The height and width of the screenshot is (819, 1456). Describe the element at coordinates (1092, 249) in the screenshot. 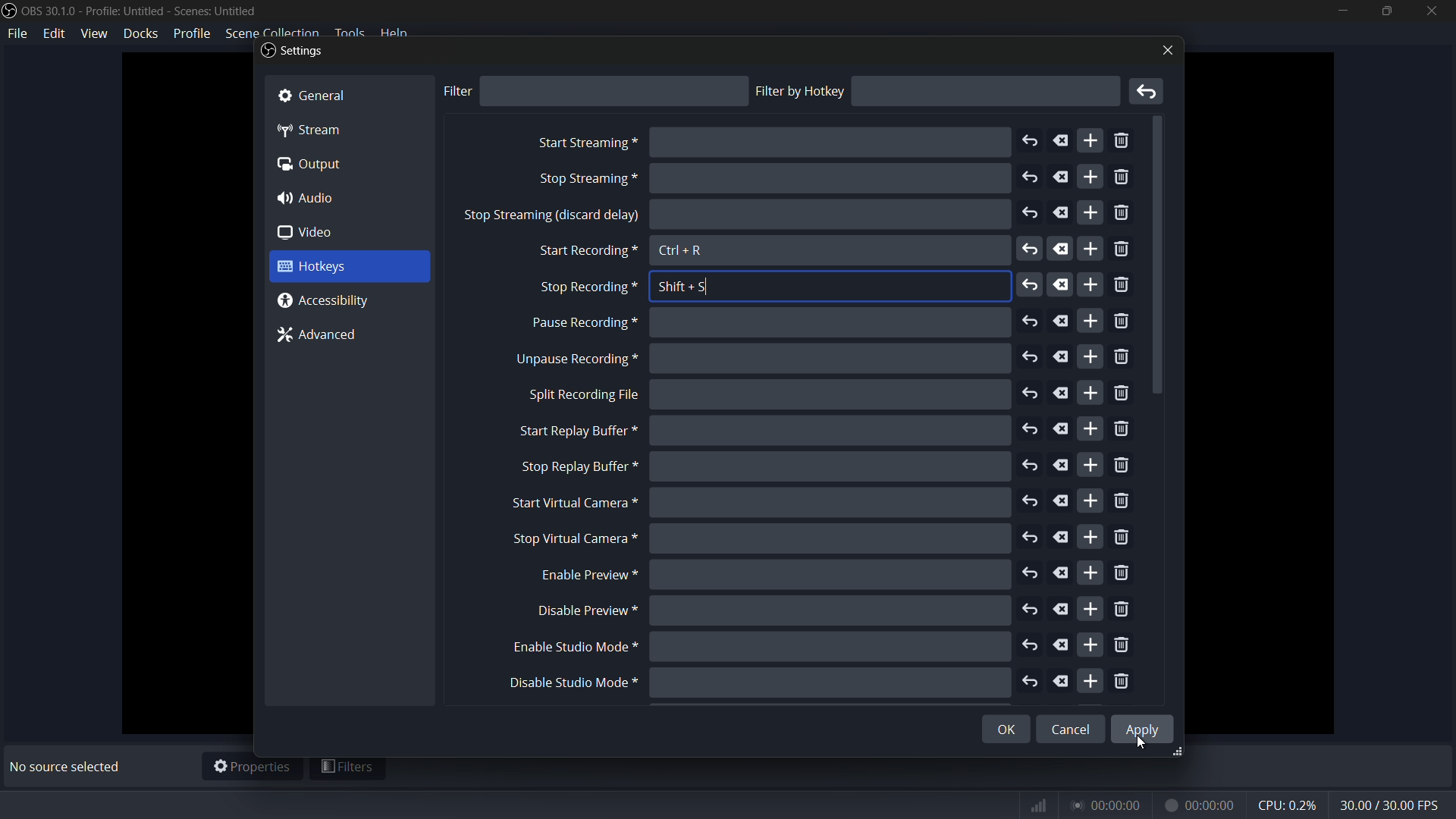

I see `add more` at that location.